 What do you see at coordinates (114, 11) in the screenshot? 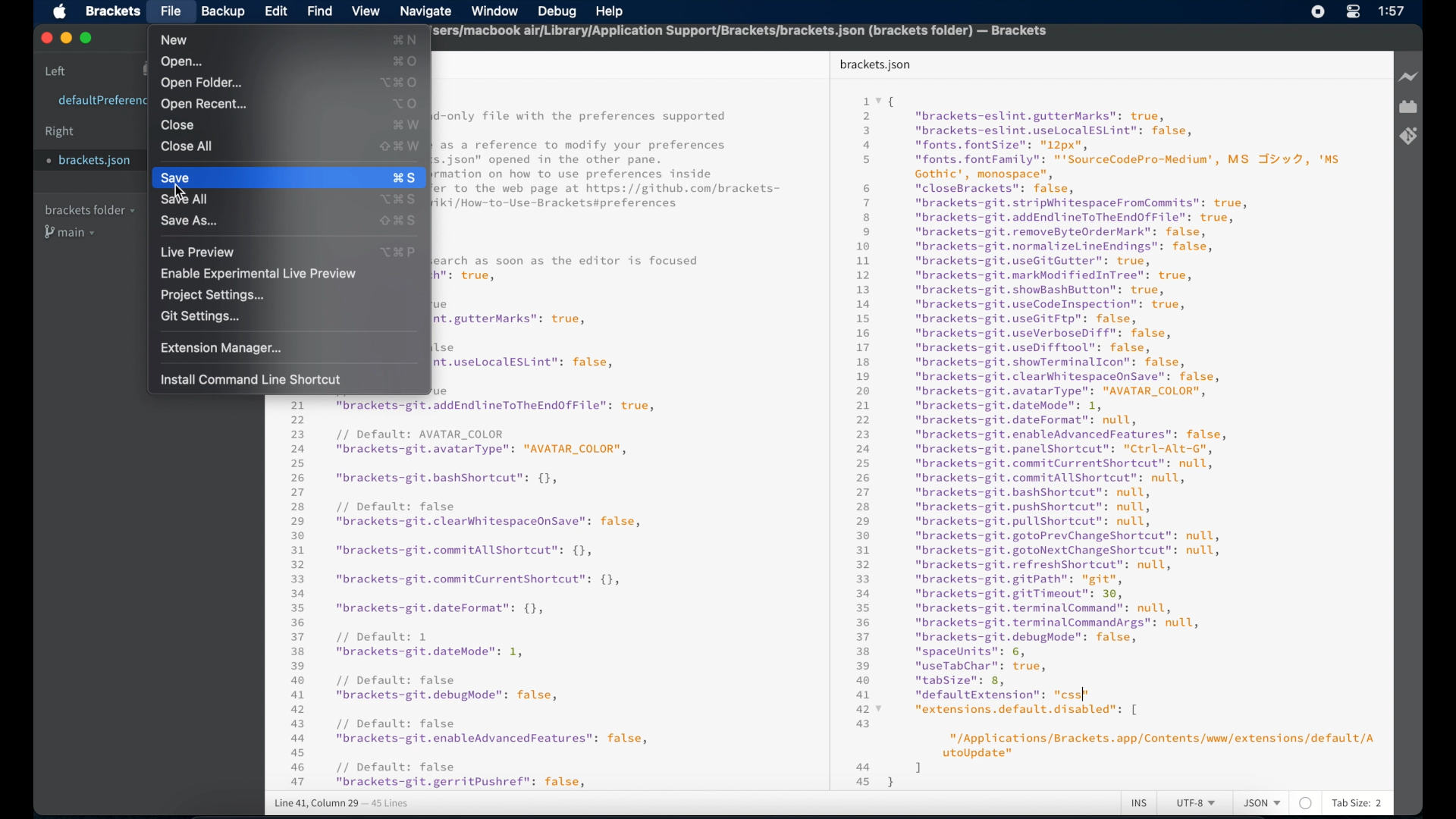
I see `brackets` at bounding box center [114, 11].